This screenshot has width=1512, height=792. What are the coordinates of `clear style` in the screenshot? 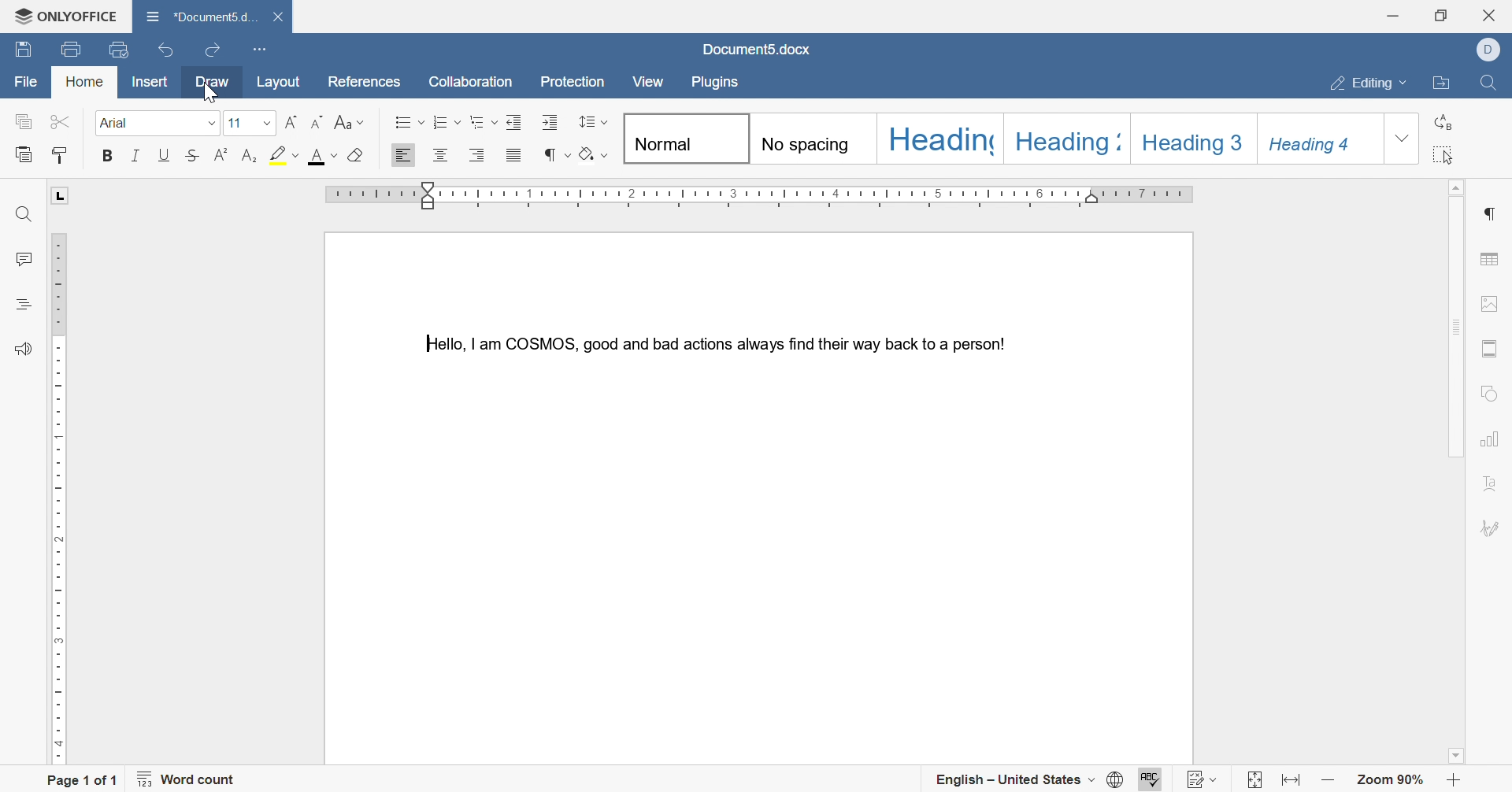 It's located at (354, 156).